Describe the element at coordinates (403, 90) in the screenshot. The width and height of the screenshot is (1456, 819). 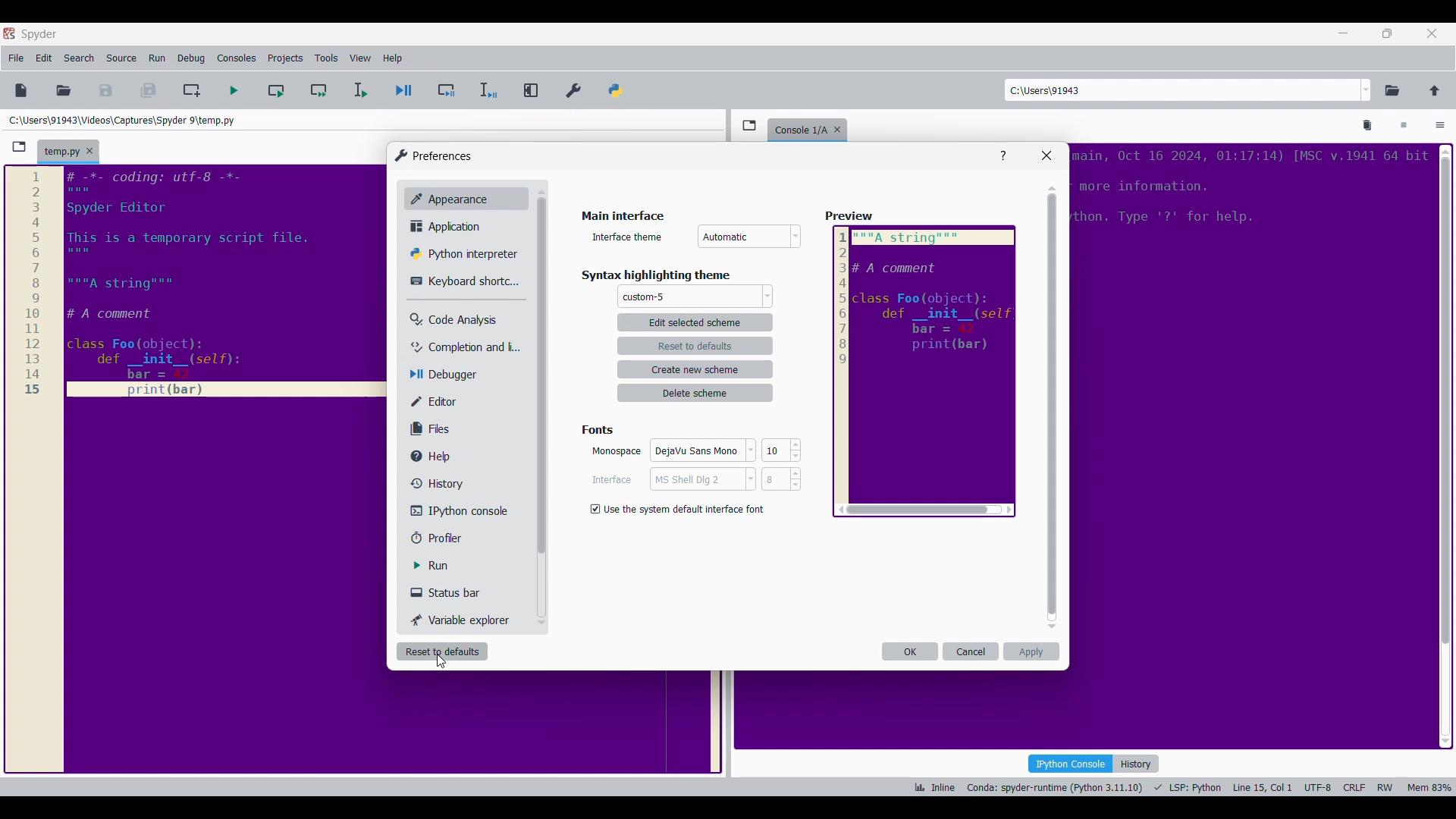
I see `Debug file` at that location.